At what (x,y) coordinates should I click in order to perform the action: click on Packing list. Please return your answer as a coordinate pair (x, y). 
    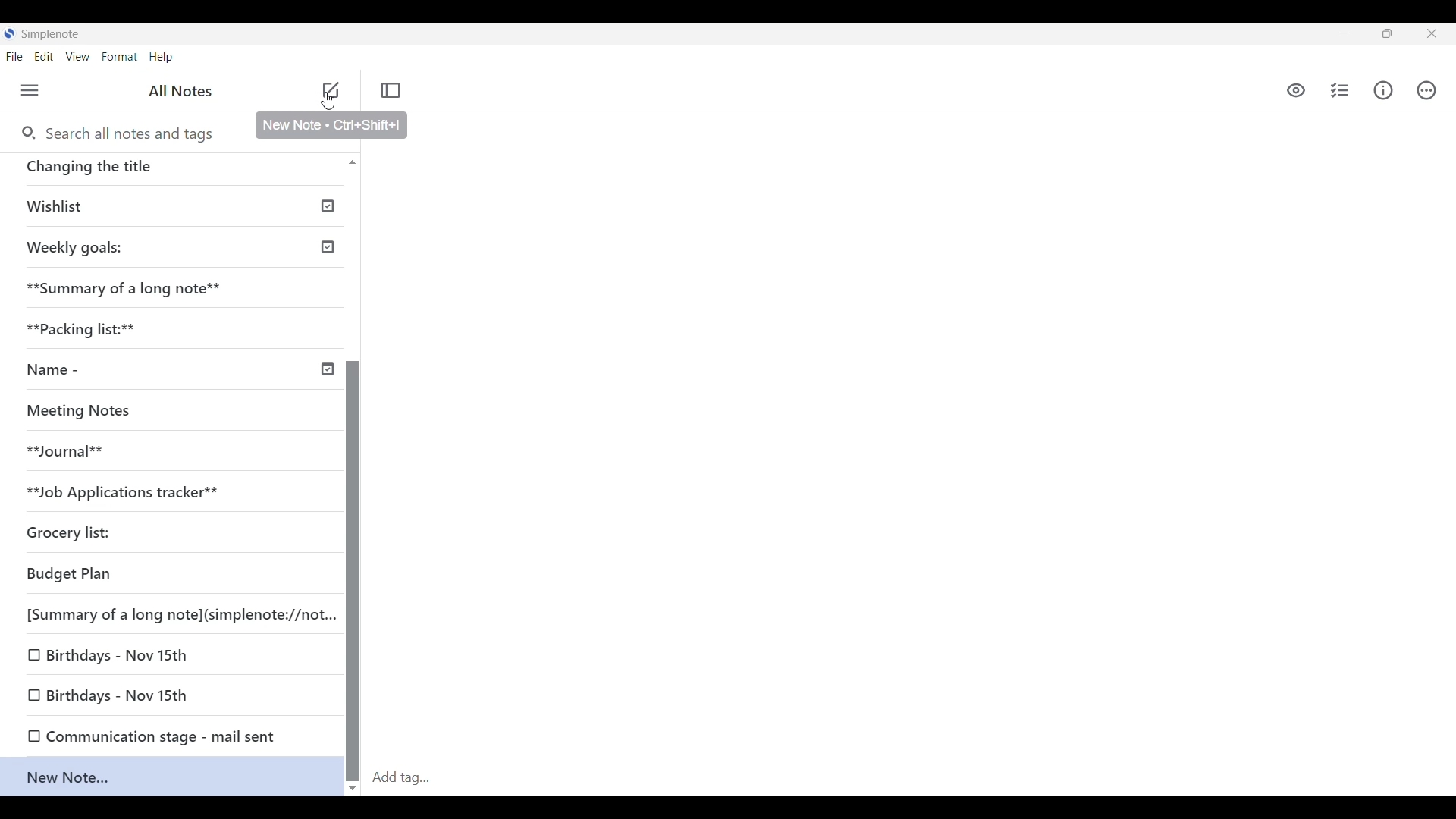
    Looking at the image, I should click on (86, 327).